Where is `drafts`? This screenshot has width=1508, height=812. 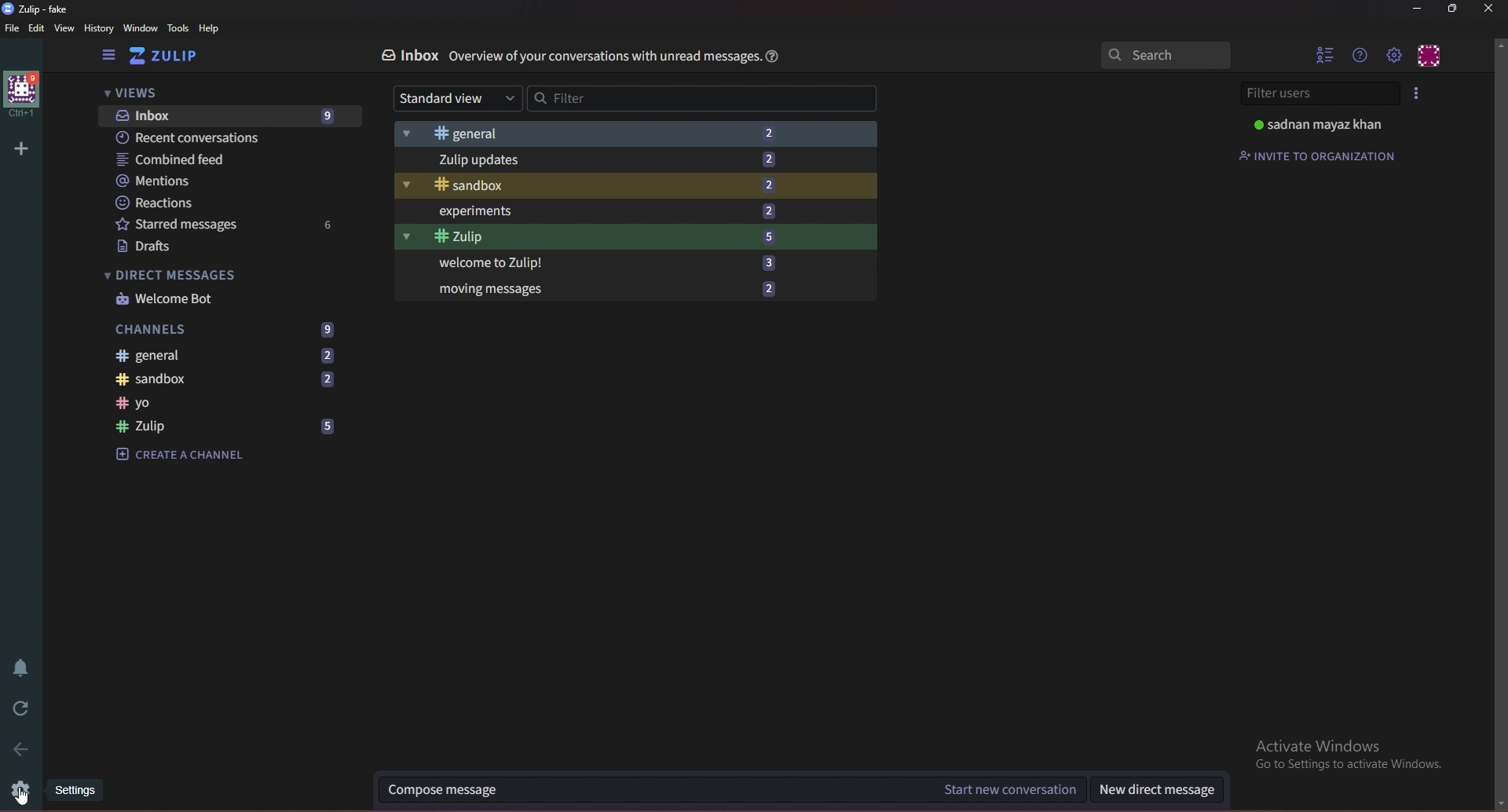
drafts is located at coordinates (227, 247).